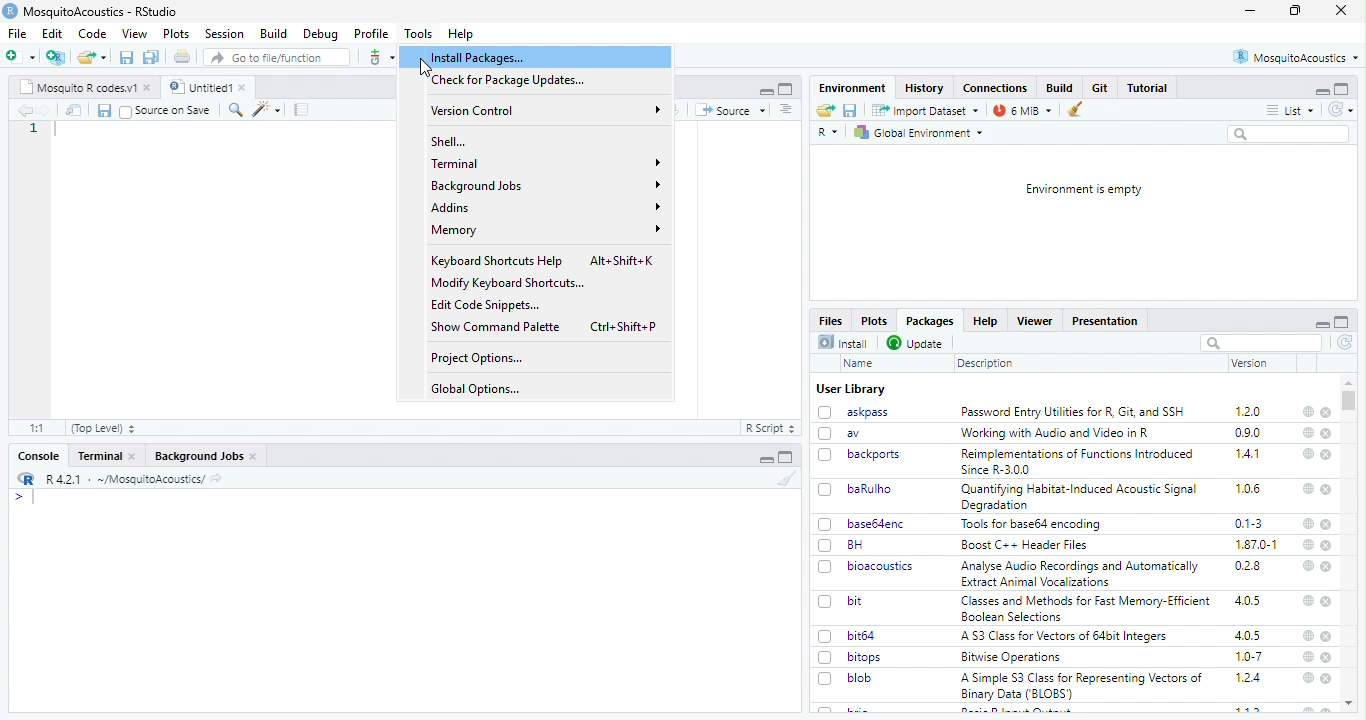 The image size is (1366, 720). Describe the element at coordinates (826, 490) in the screenshot. I see `checkbox` at that location.